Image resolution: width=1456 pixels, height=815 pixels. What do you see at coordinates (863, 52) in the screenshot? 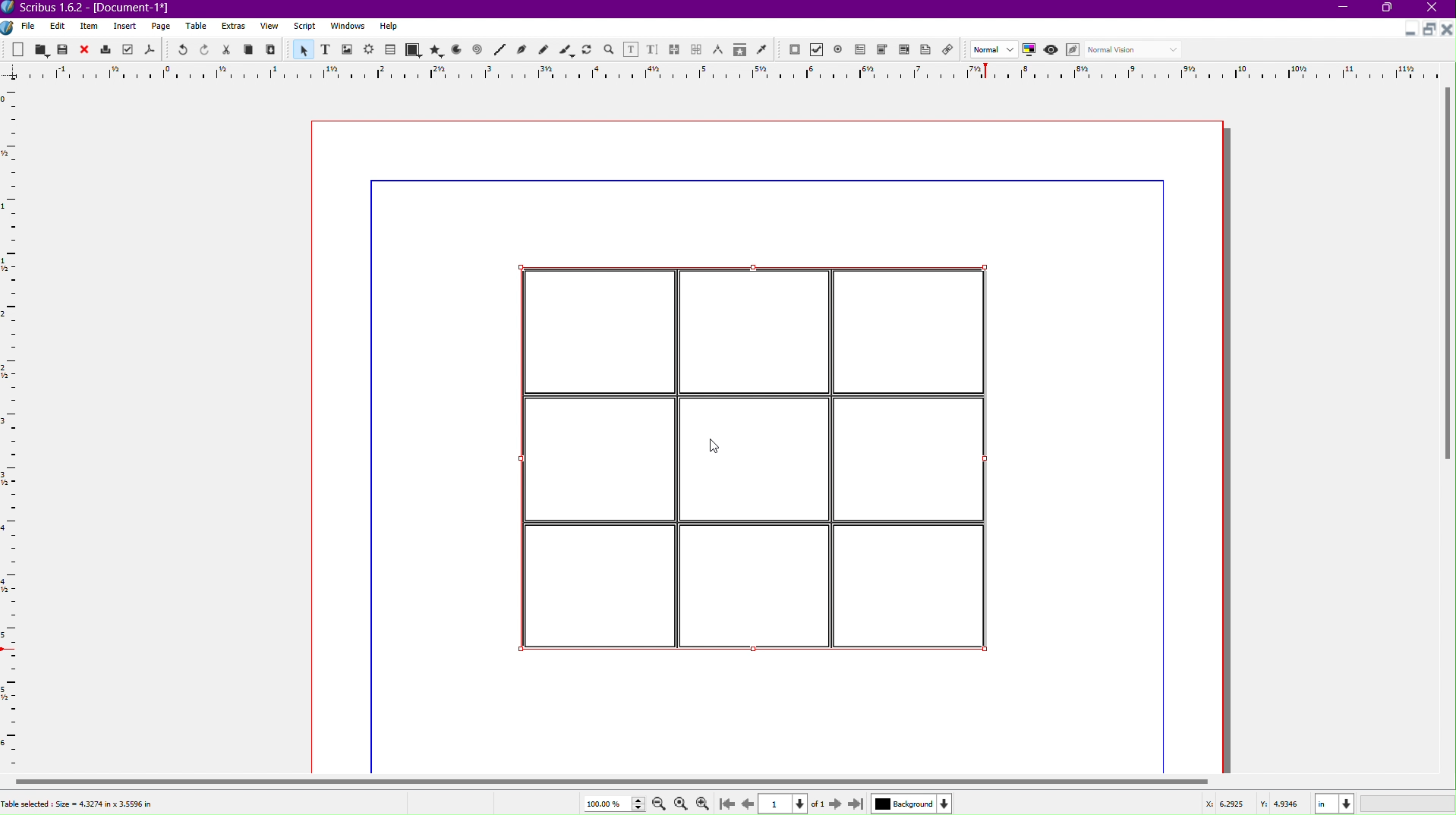
I see `PDF Text Field` at bounding box center [863, 52].